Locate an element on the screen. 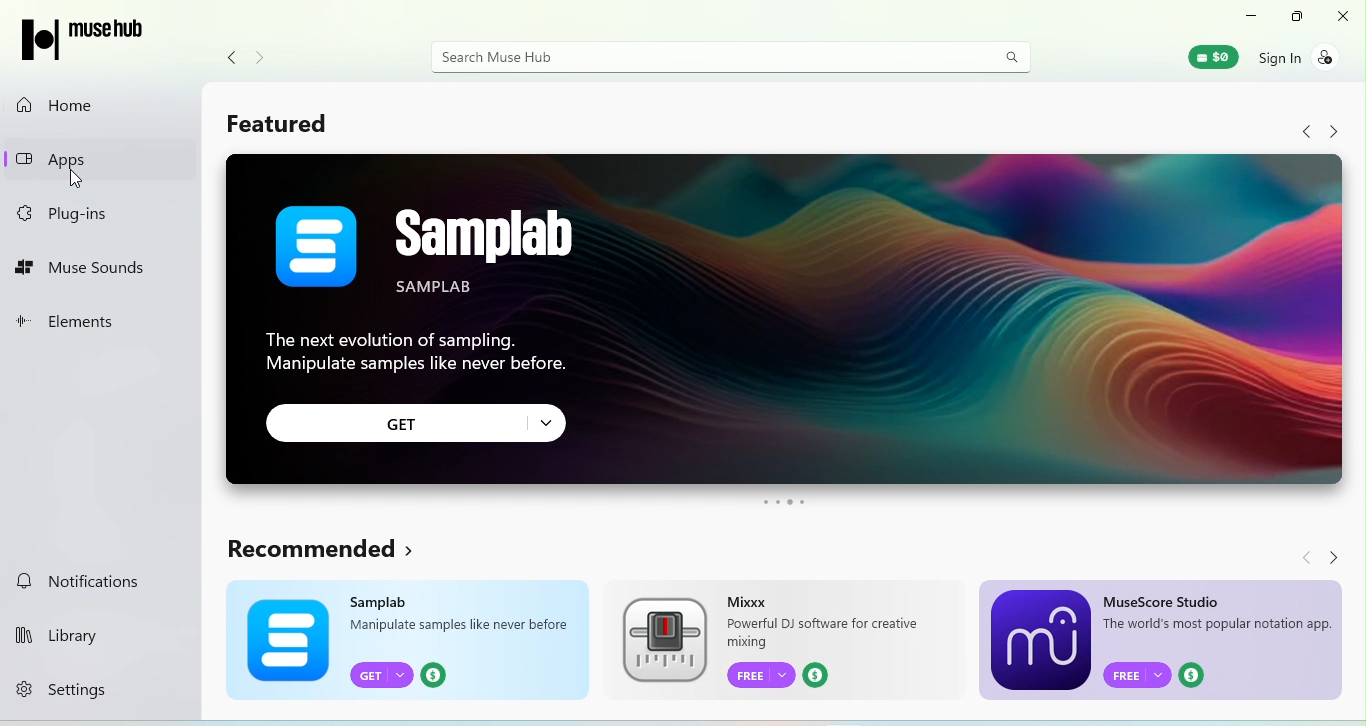 Image resolution: width=1366 pixels, height=726 pixels. Apps tab is located at coordinates (66, 155).